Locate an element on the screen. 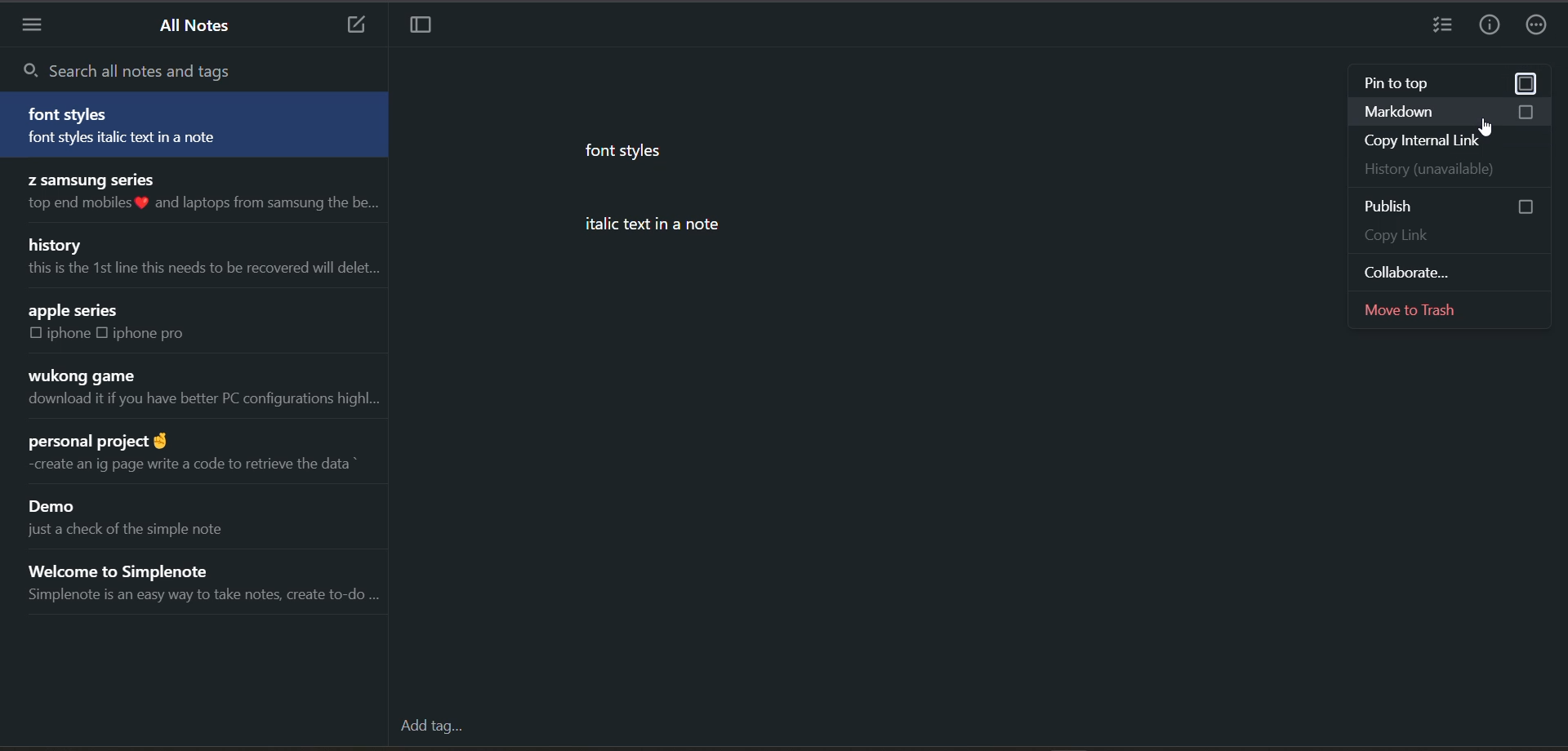  note title and preview is located at coordinates (210, 583).